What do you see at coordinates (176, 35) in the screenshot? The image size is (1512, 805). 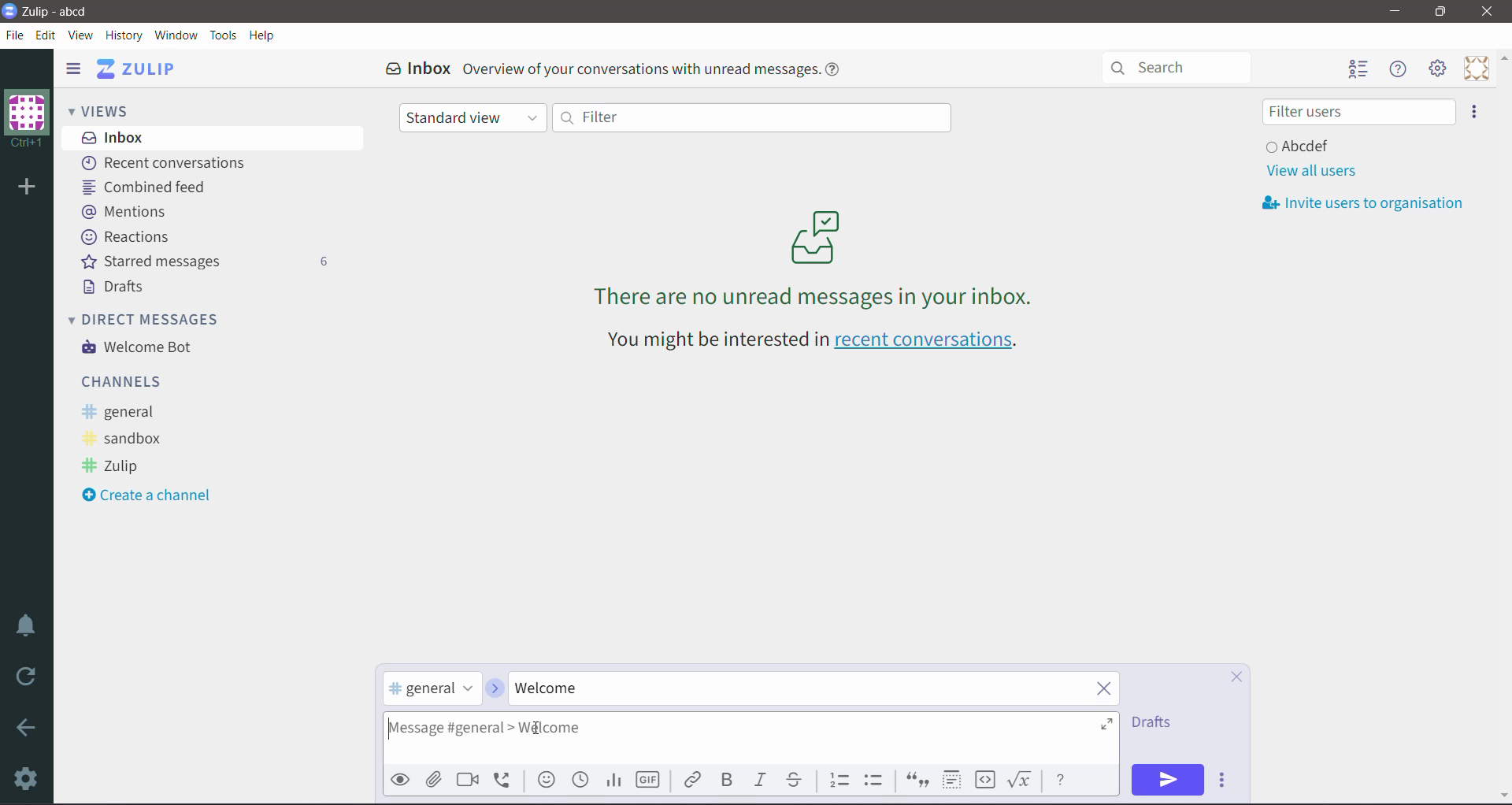 I see `Window` at bounding box center [176, 35].